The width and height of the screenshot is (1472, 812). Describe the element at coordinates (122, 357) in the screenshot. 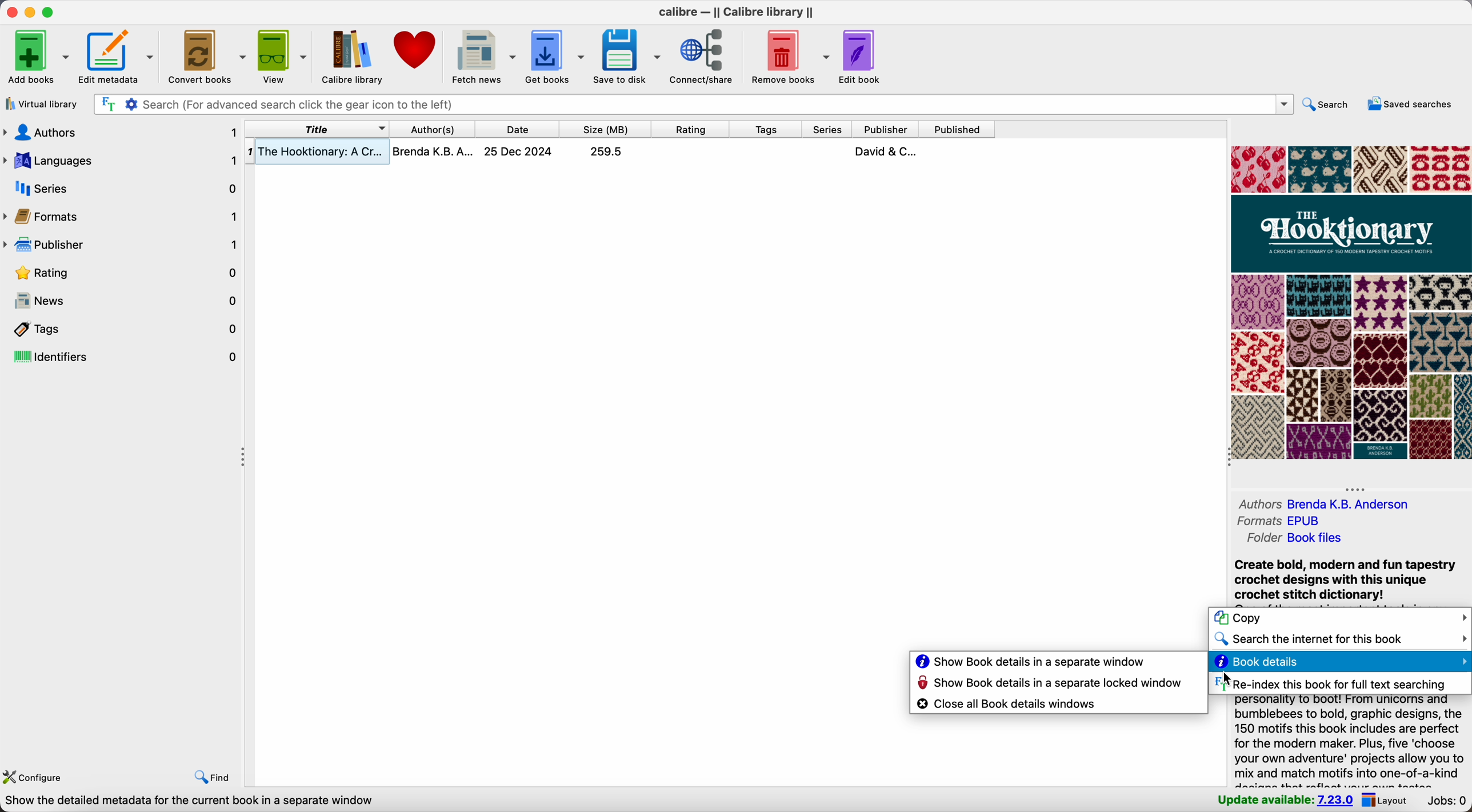

I see `identifiers` at that location.